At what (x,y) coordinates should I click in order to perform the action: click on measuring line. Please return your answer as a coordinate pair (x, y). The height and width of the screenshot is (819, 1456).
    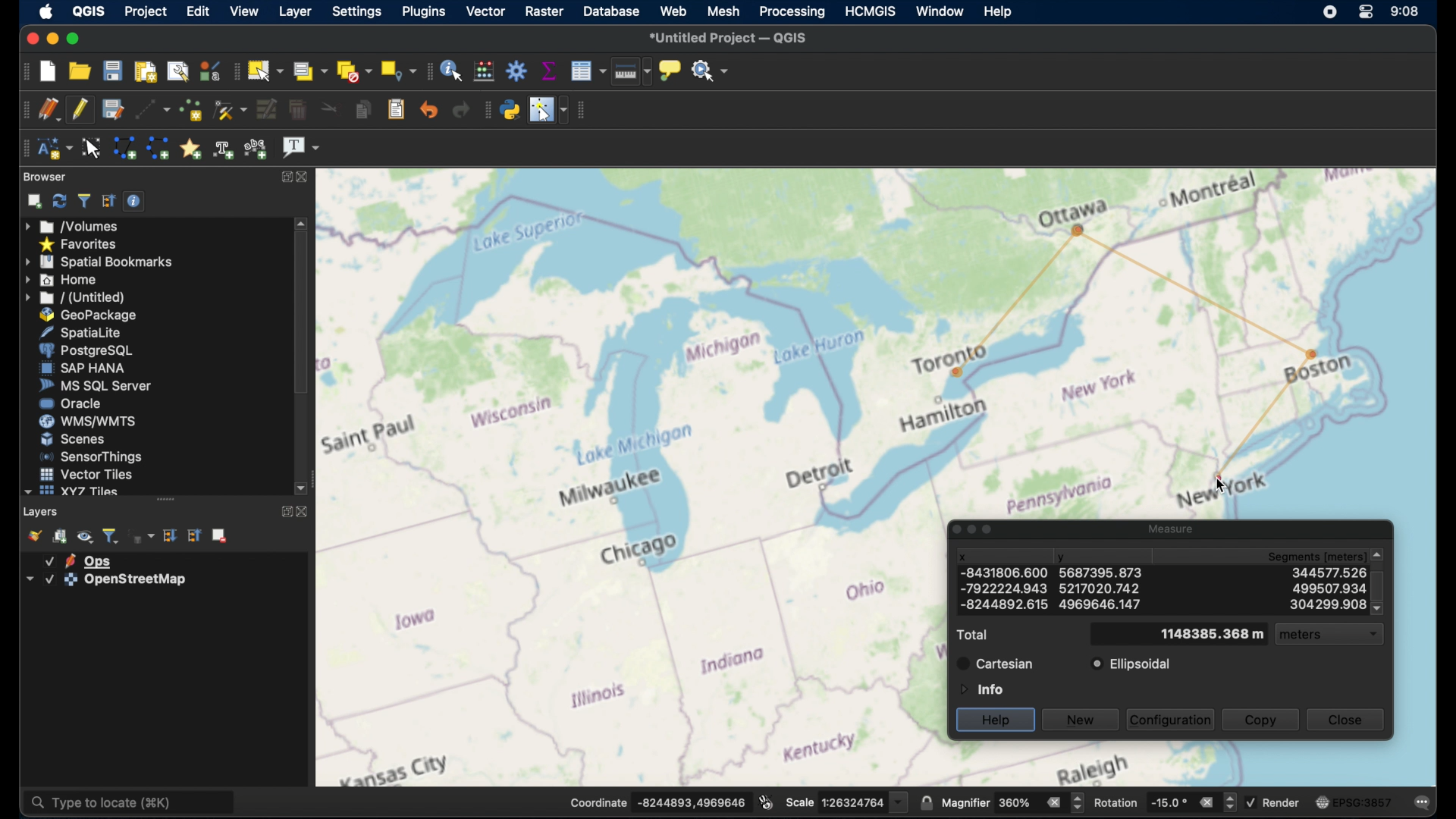
    Looking at the image, I should click on (1264, 420).